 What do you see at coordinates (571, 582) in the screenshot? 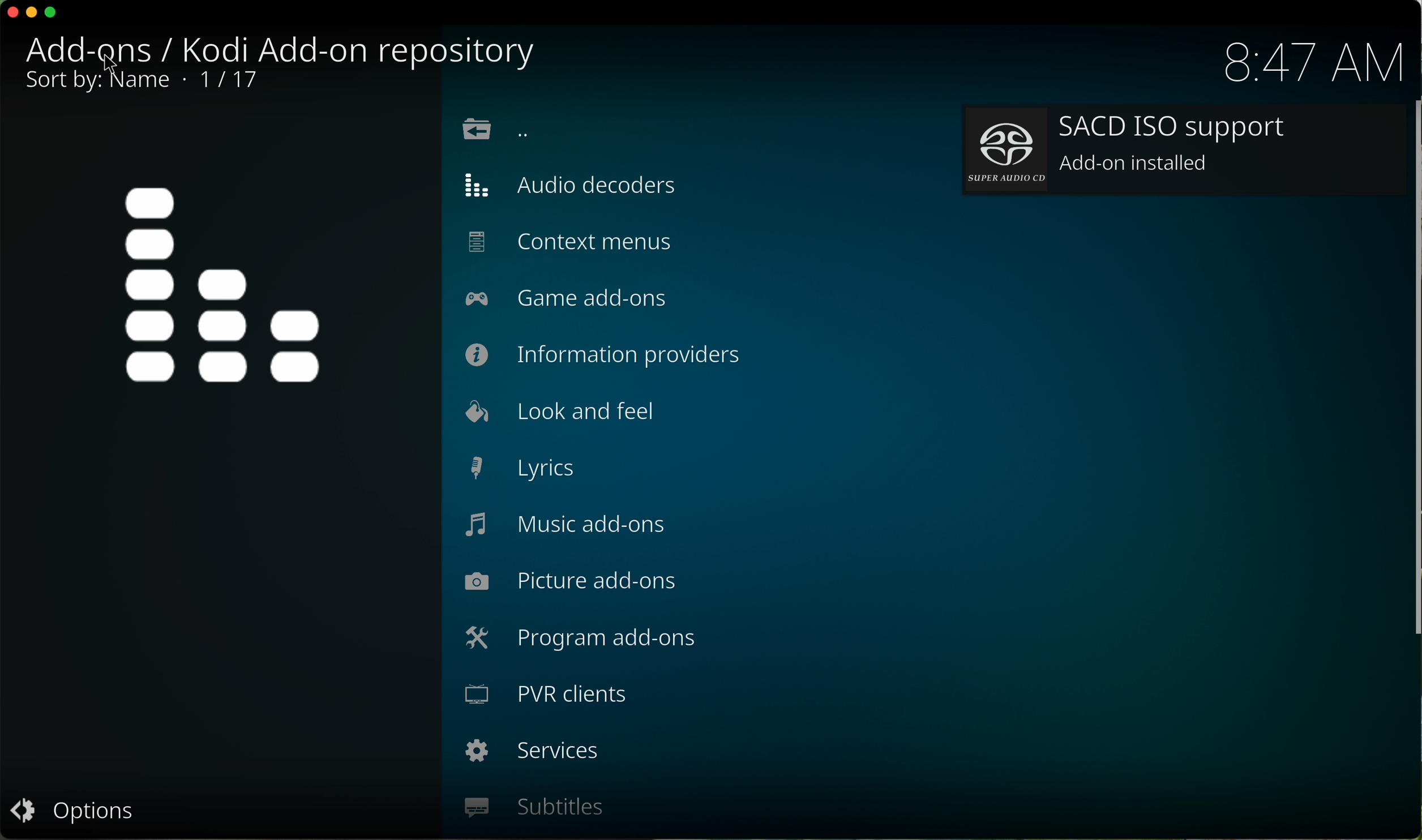
I see `picture add-ons` at bounding box center [571, 582].